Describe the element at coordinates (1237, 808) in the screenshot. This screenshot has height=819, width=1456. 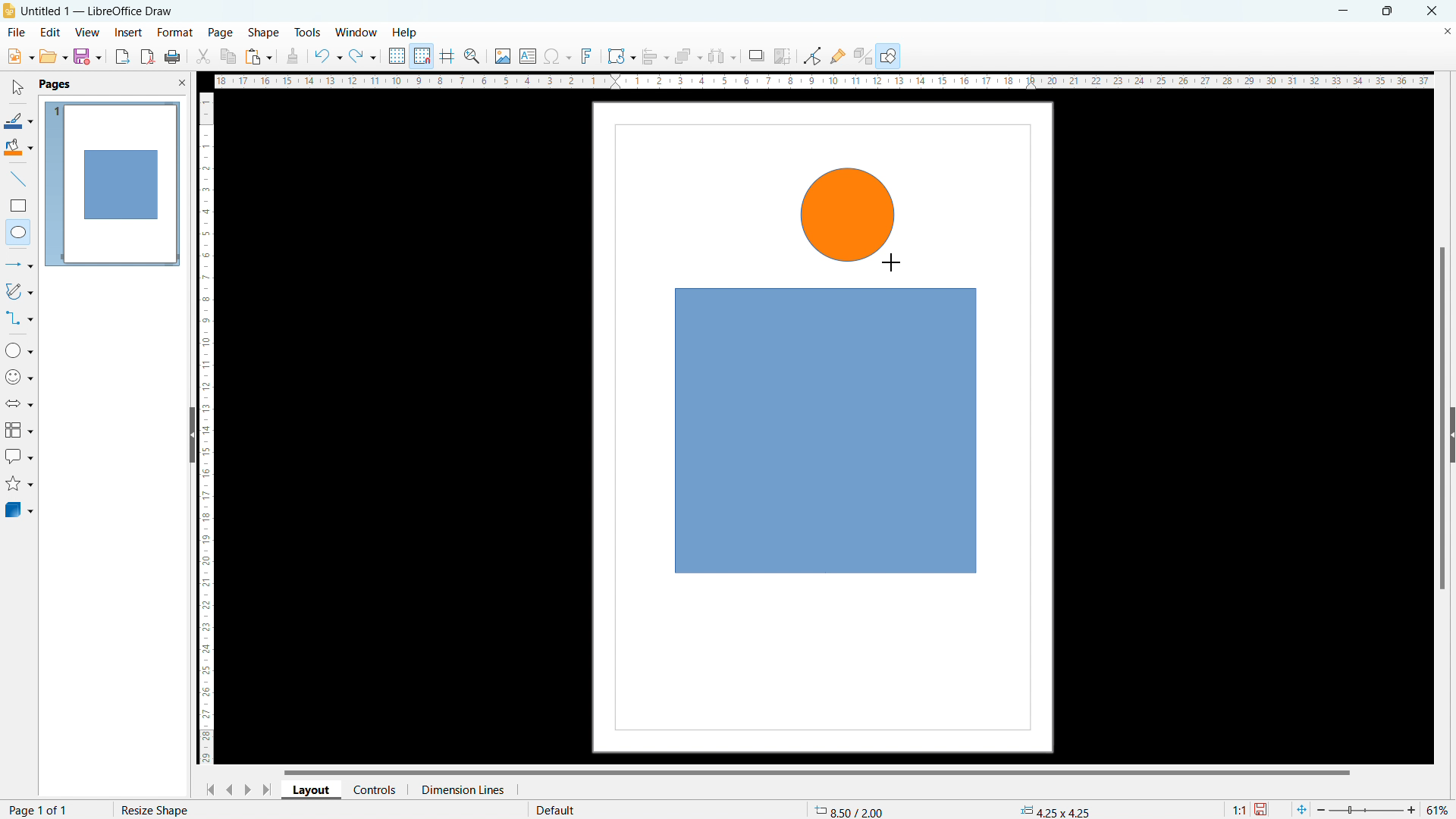
I see `scaling factor` at that location.